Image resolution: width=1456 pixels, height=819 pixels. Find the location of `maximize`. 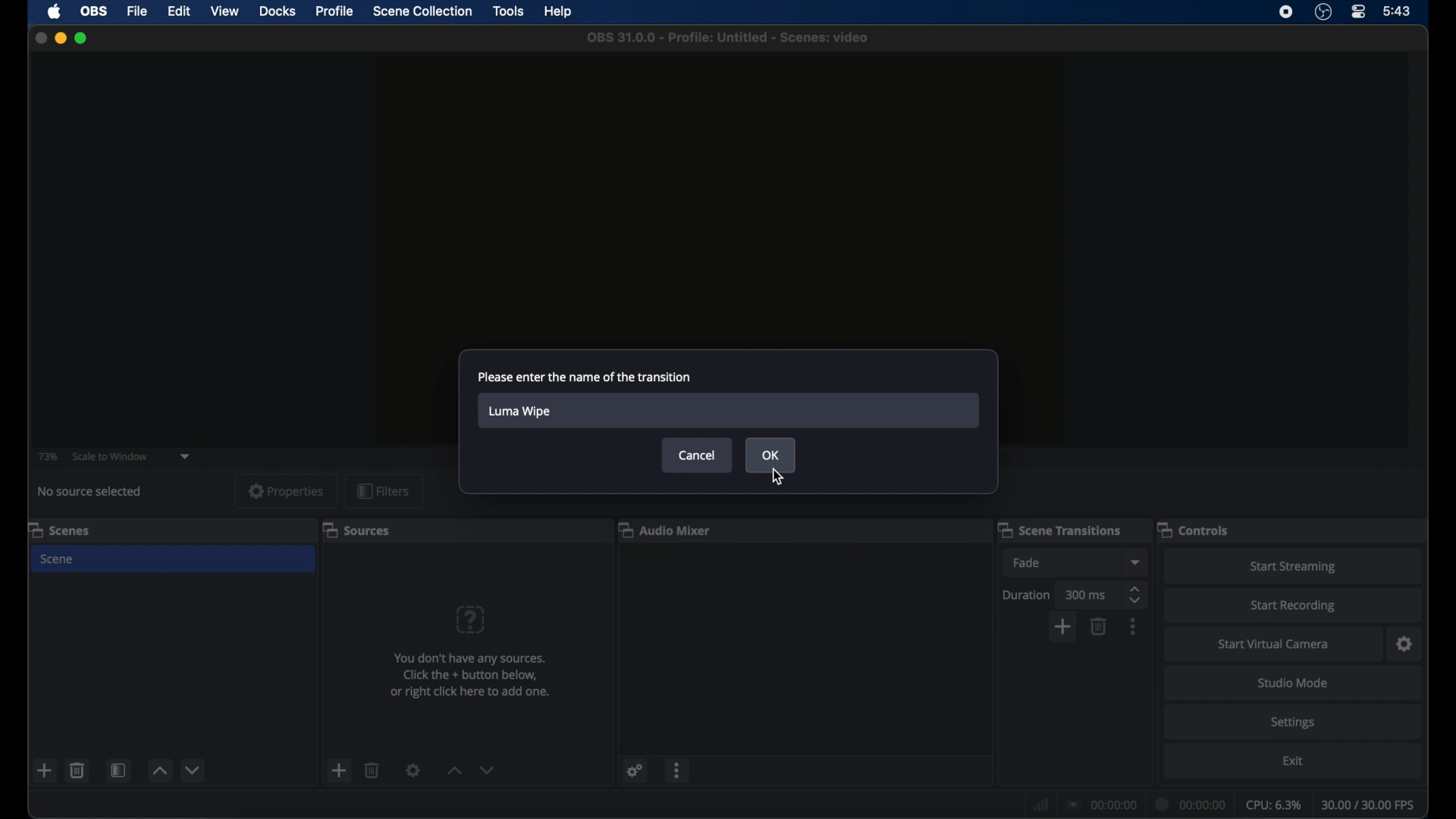

maximize is located at coordinates (83, 38).